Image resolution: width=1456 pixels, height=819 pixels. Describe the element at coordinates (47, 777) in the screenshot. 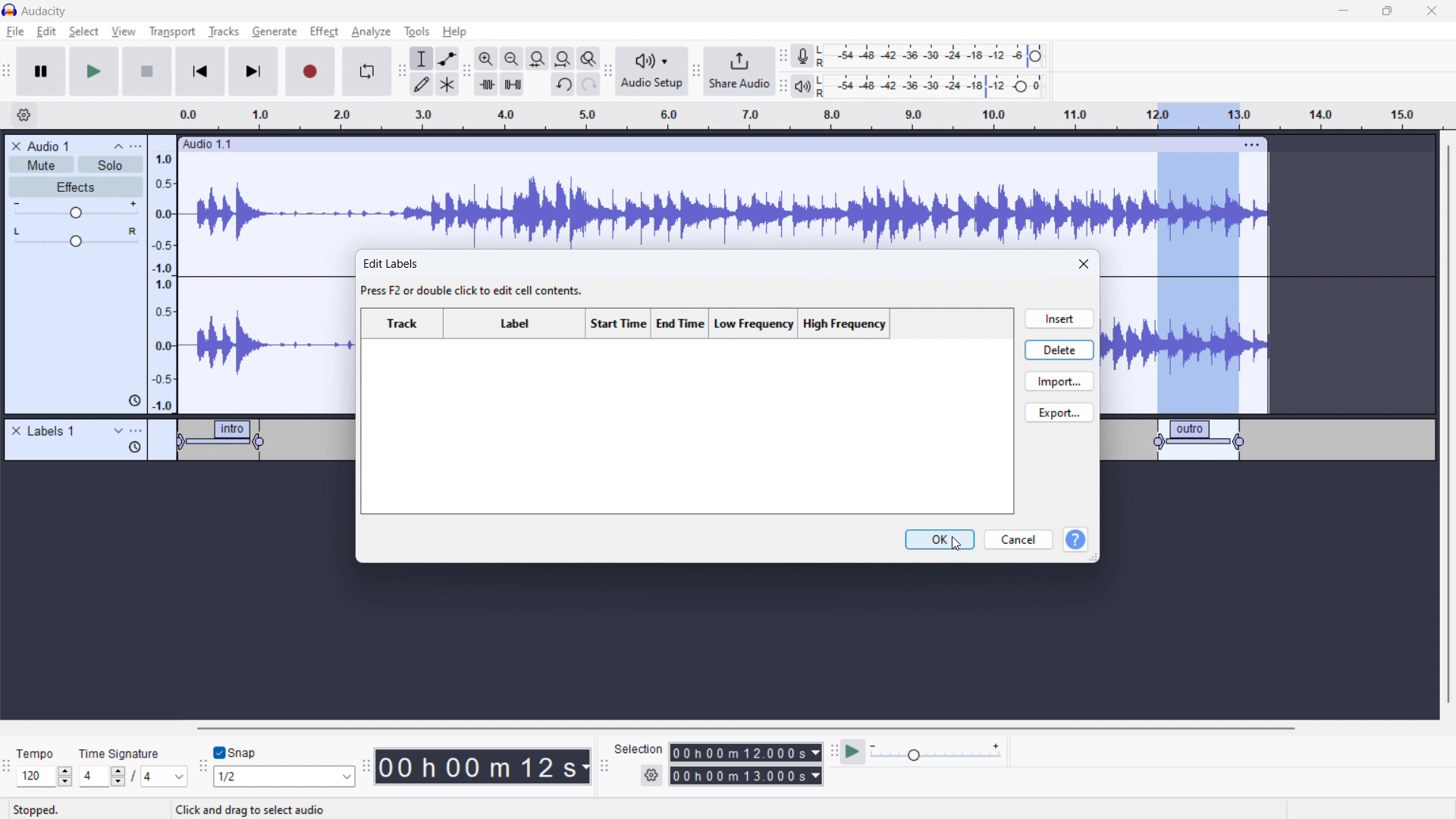

I see `set tempo` at that location.